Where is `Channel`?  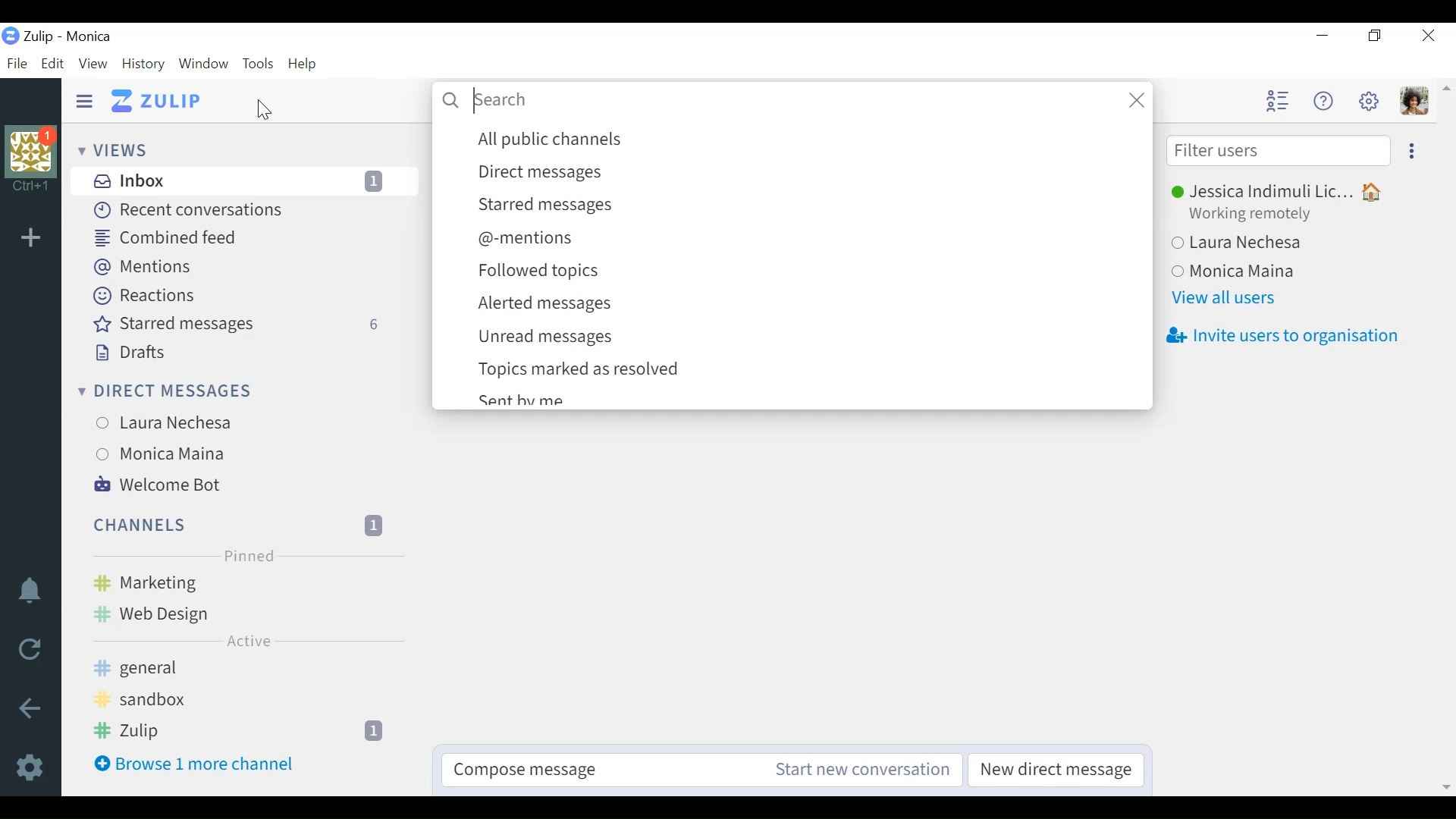 Channel is located at coordinates (240, 525).